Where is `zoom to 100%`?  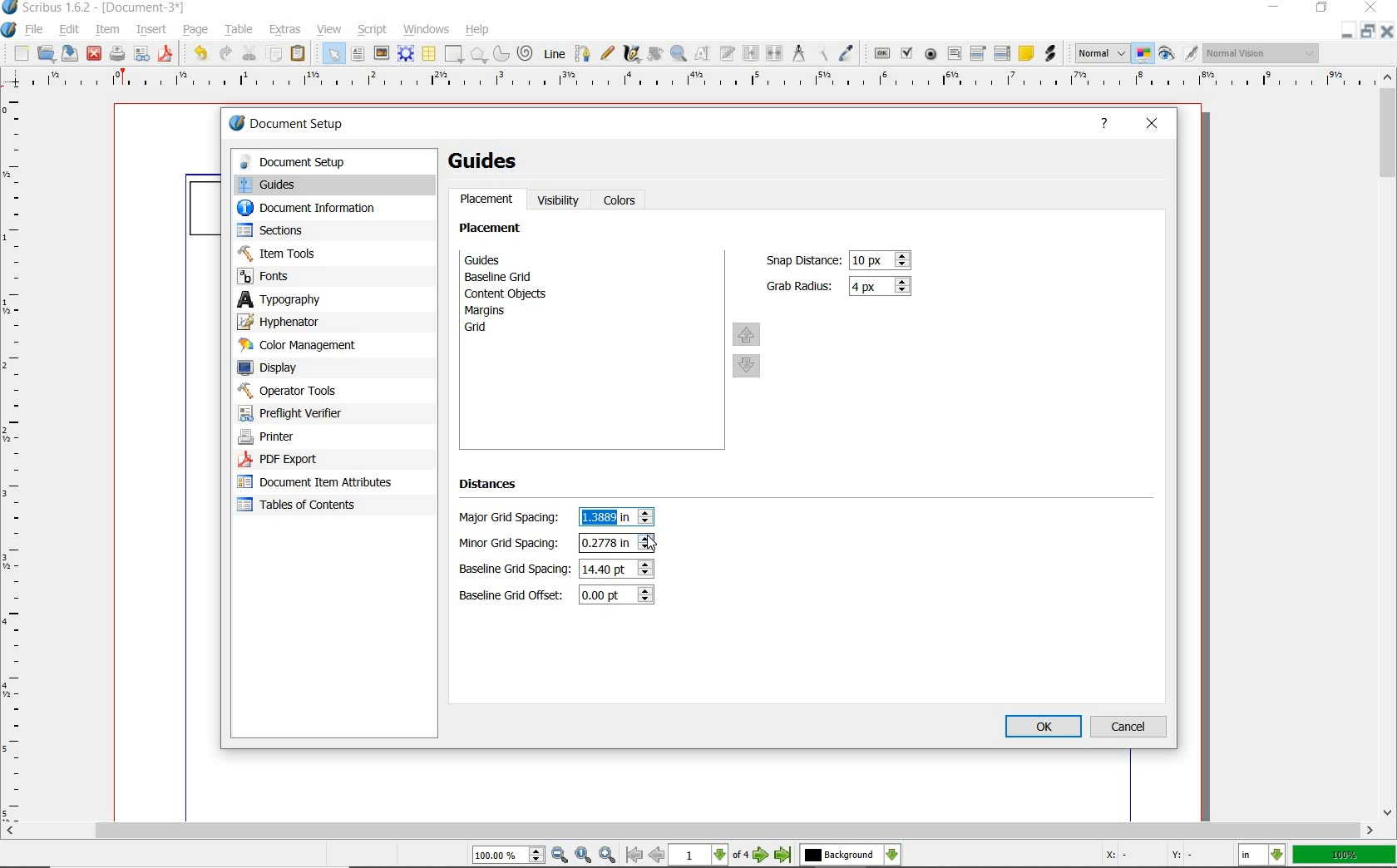
zoom to 100% is located at coordinates (585, 856).